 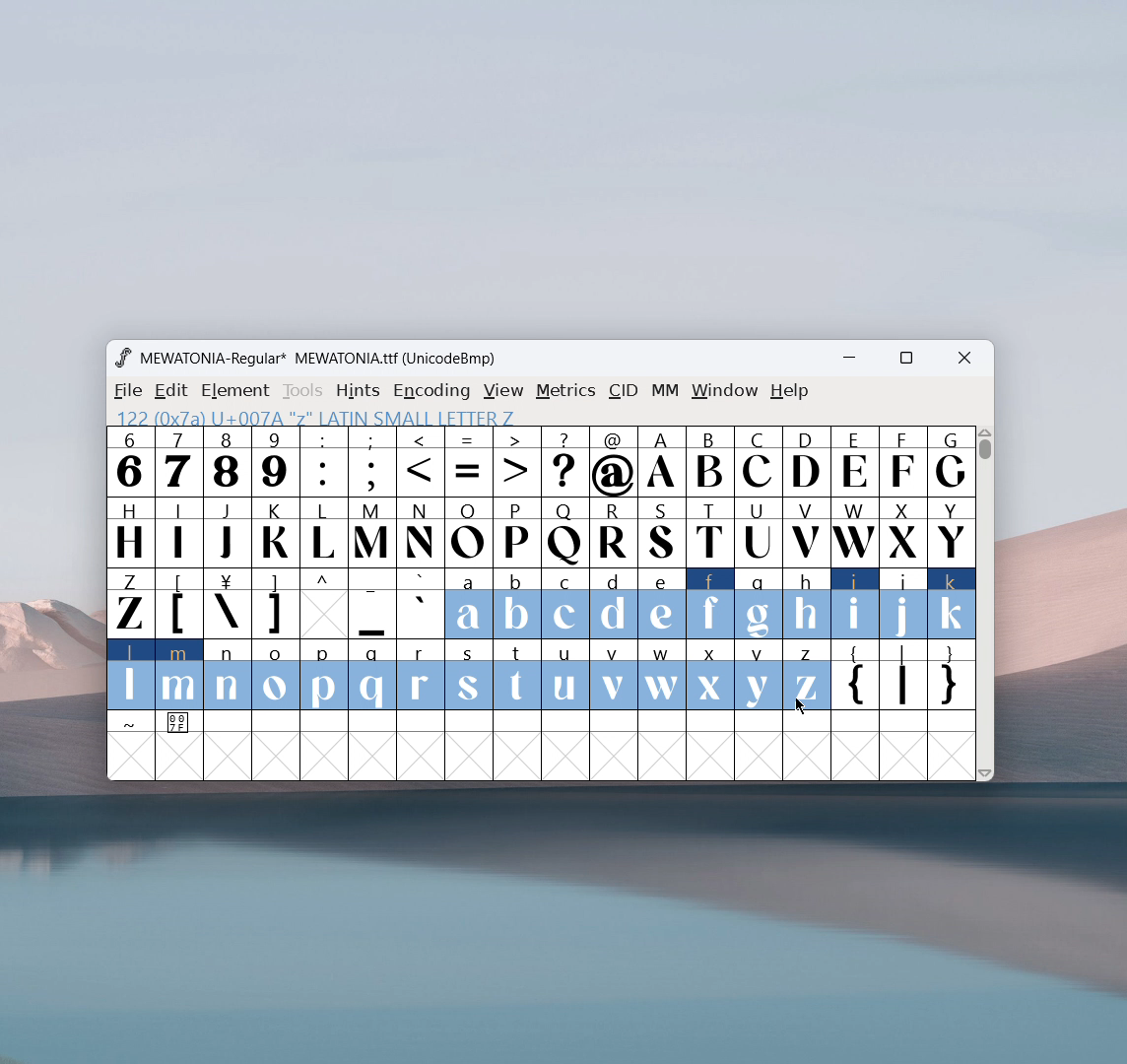 What do you see at coordinates (805, 460) in the screenshot?
I see `D` at bounding box center [805, 460].